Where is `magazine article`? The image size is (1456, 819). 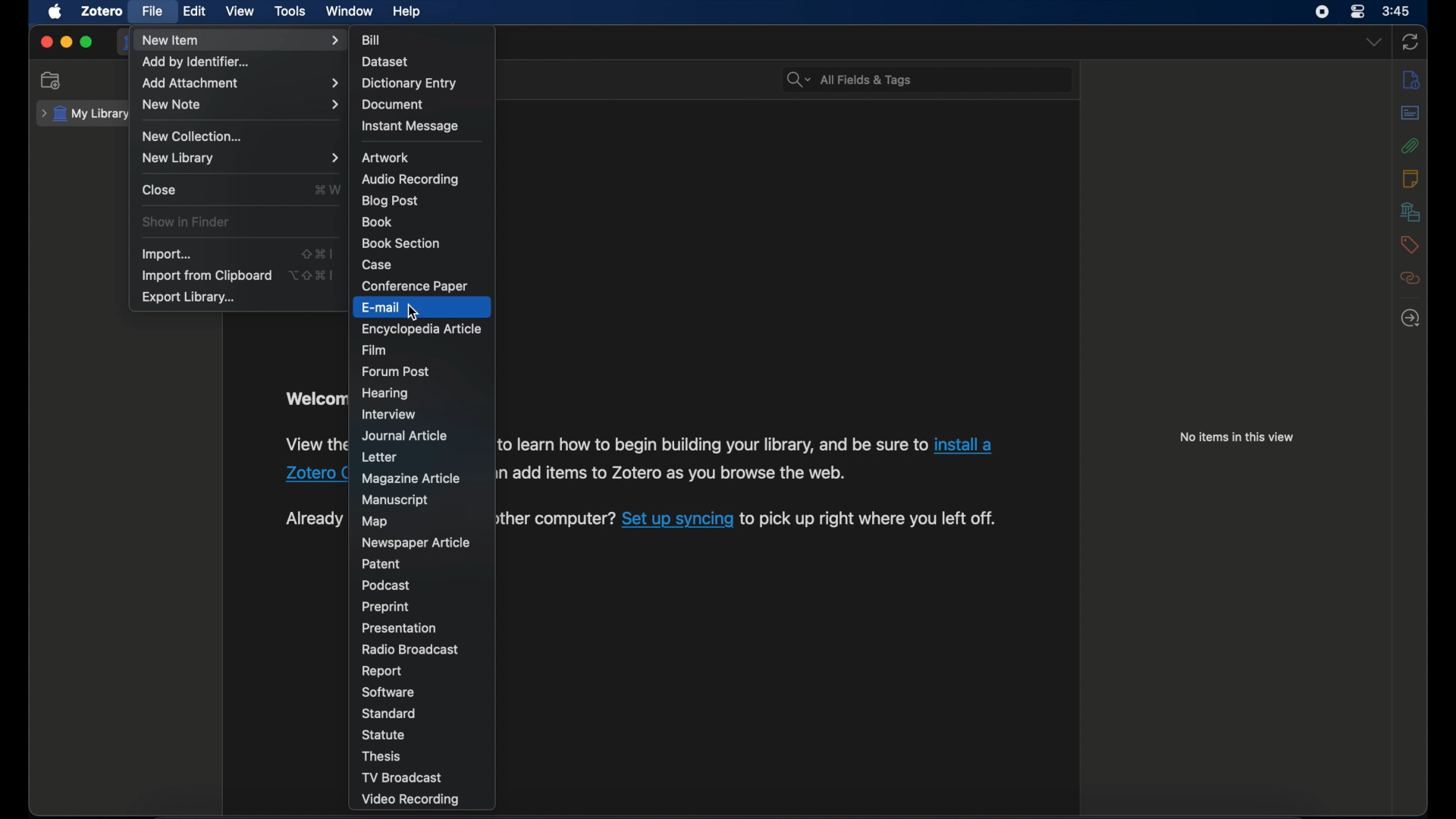 magazine article is located at coordinates (411, 479).